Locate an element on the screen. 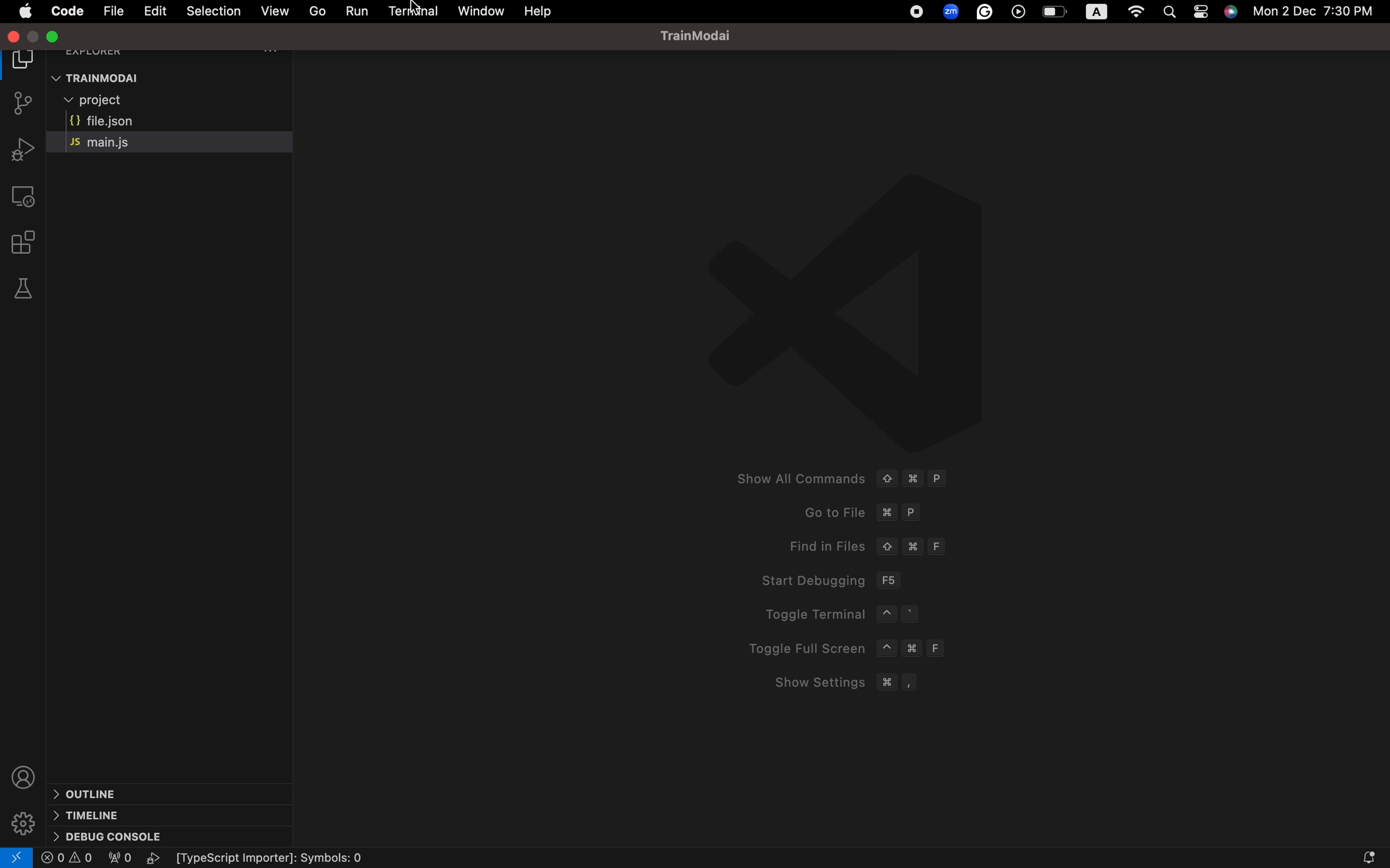 Image resolution: width=1390 pixels, height=868 pixels. help is located at coordinates (540, 12).